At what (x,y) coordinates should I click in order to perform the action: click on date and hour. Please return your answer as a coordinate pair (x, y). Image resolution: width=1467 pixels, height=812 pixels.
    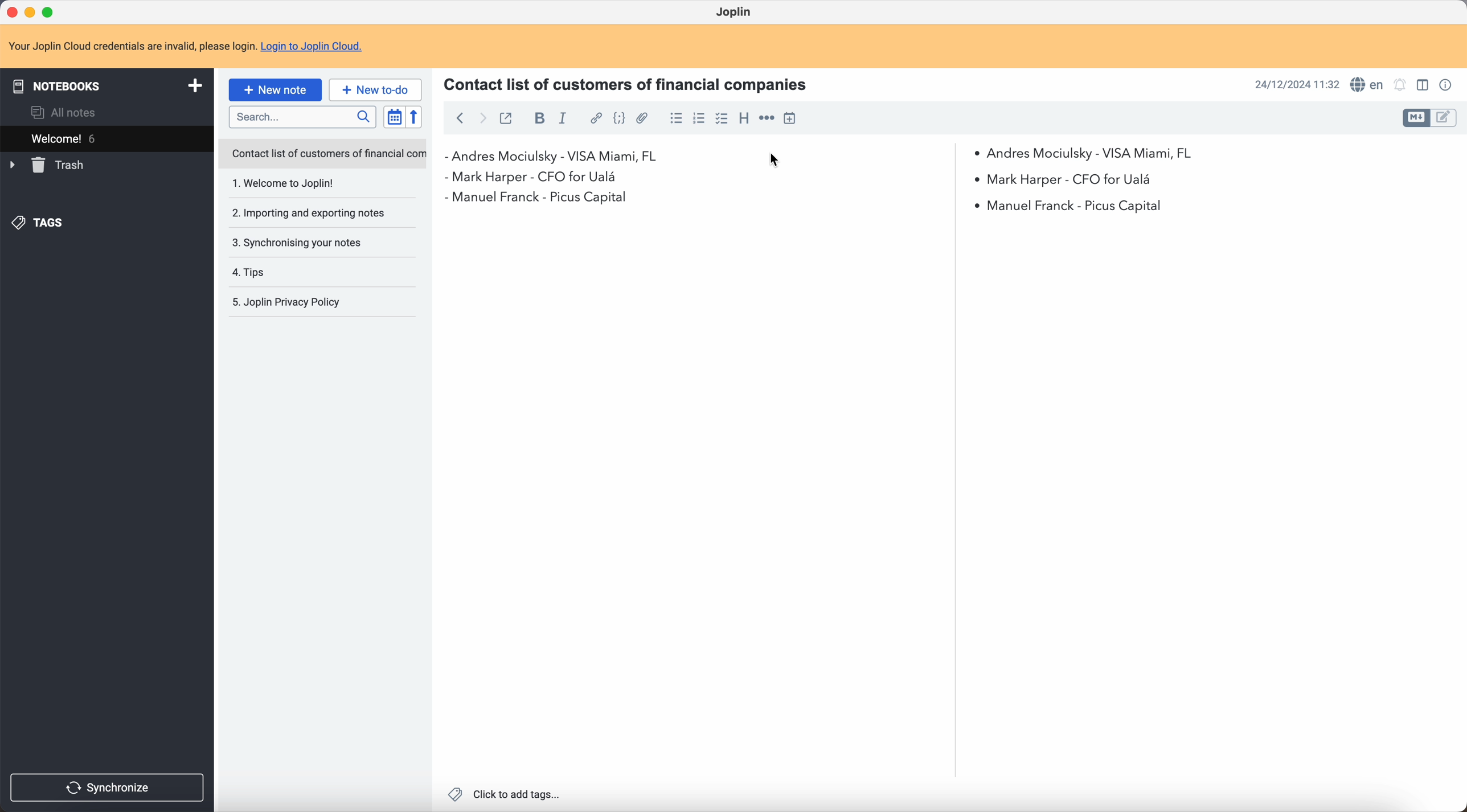
    Looking at the image, I should click on (1296, 84).